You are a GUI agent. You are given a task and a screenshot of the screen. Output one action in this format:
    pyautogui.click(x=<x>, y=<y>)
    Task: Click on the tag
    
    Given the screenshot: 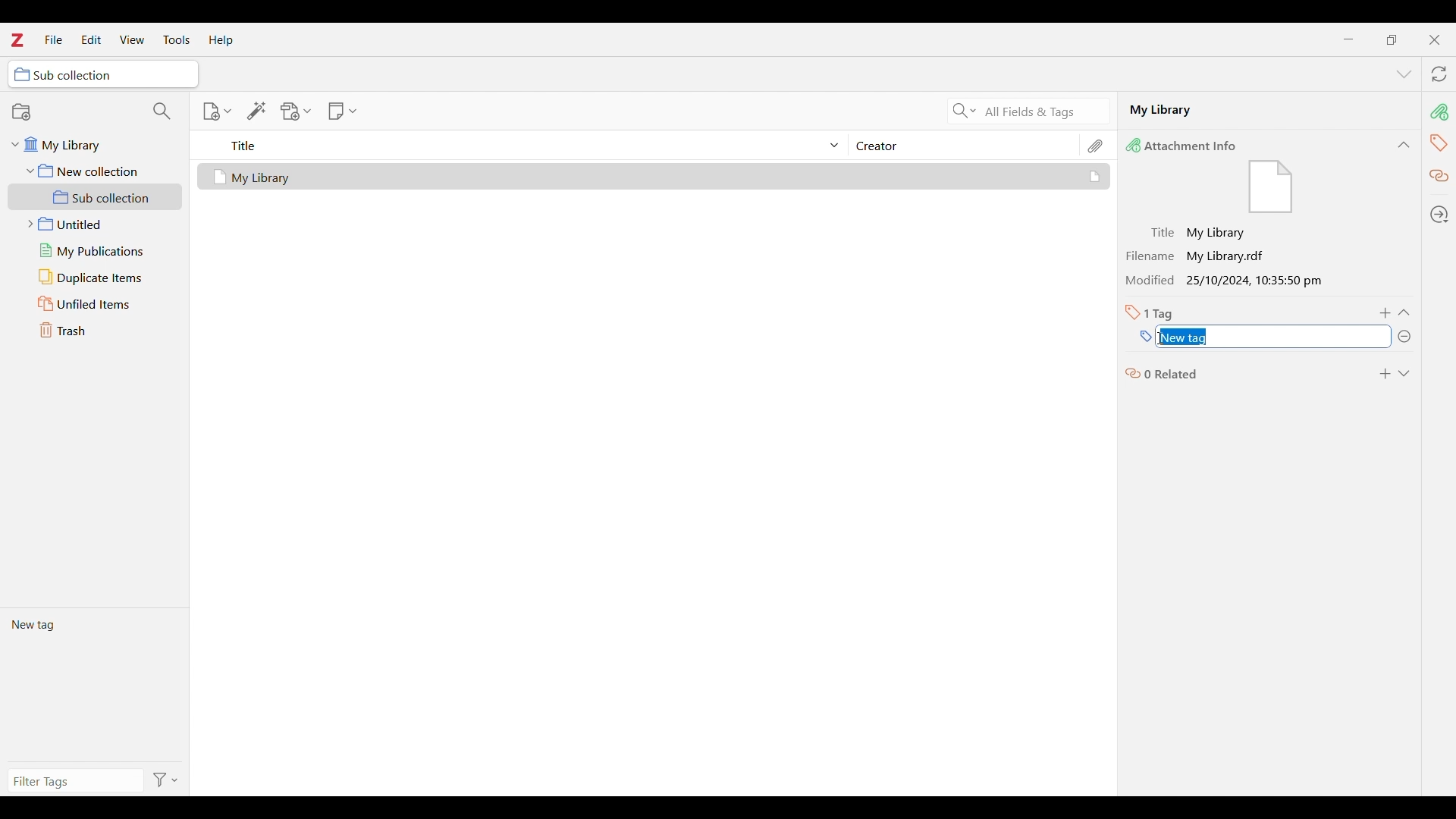 What is the action you would take?
    pyautogui.click(x=1439, y=142)
    